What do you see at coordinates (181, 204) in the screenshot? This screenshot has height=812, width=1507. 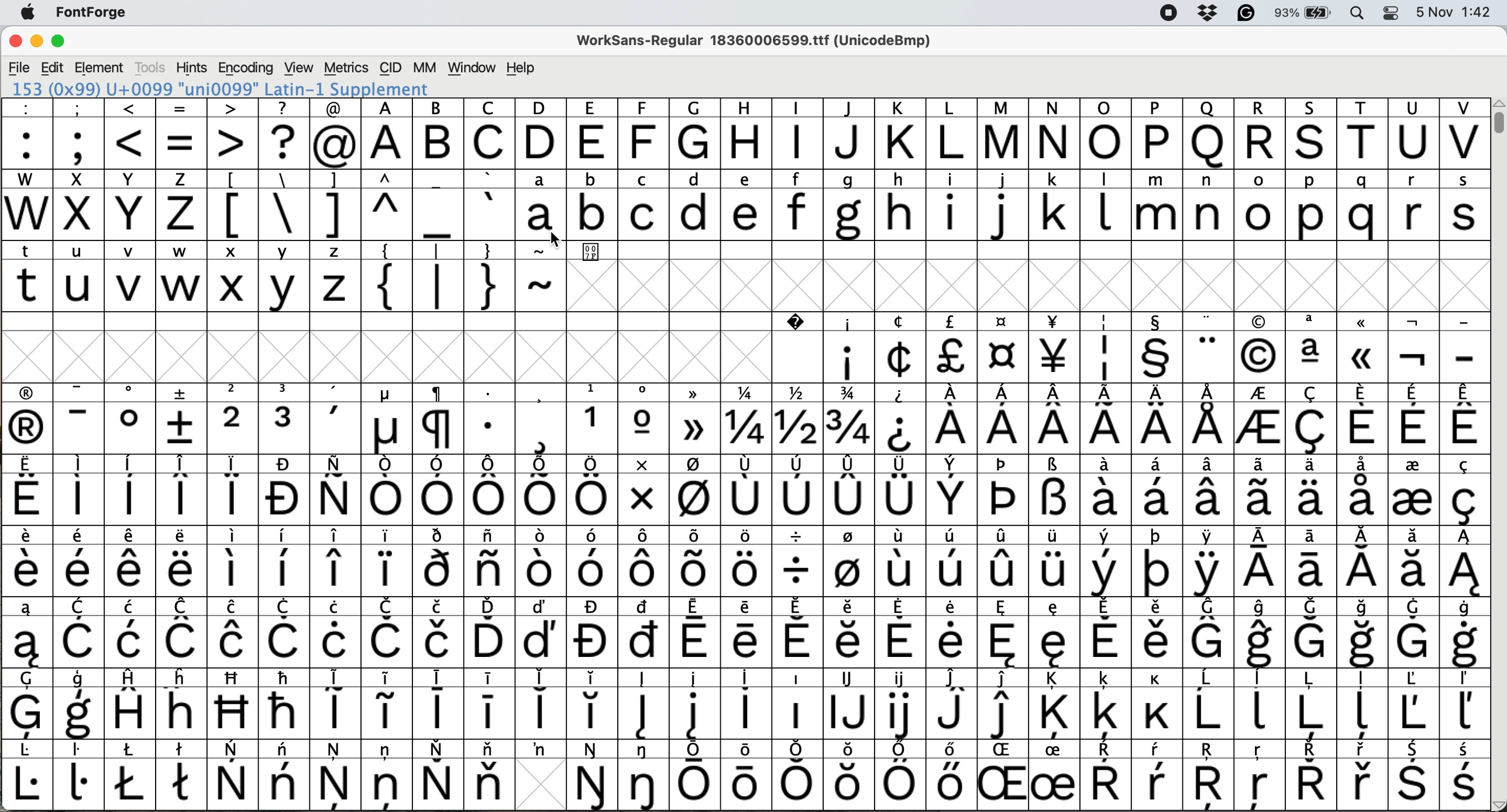 I see `z` at bounding box center [181, 204].